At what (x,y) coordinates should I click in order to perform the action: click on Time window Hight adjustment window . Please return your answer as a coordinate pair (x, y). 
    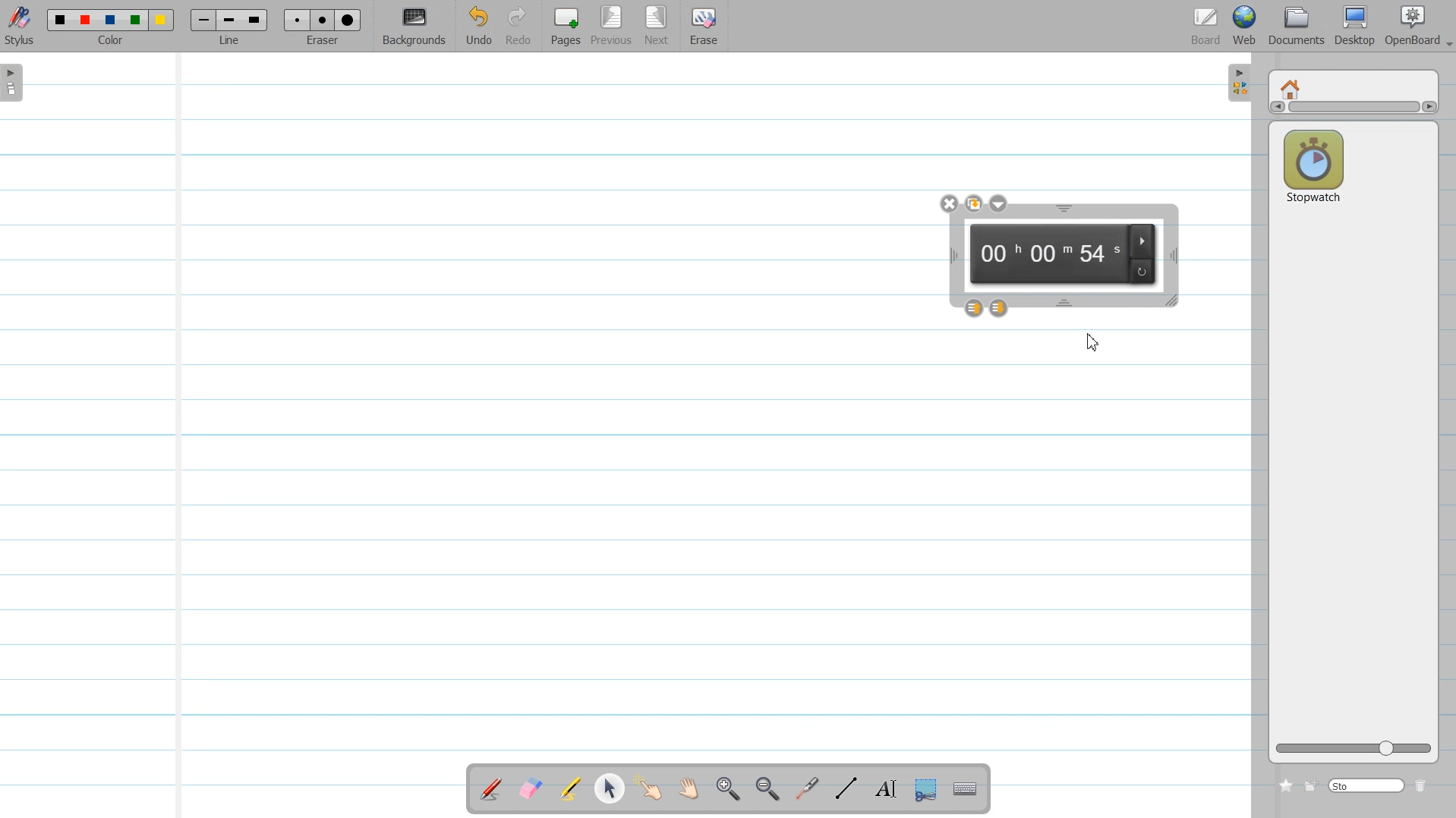
    Looking at the image, I should click on (1064, 209).